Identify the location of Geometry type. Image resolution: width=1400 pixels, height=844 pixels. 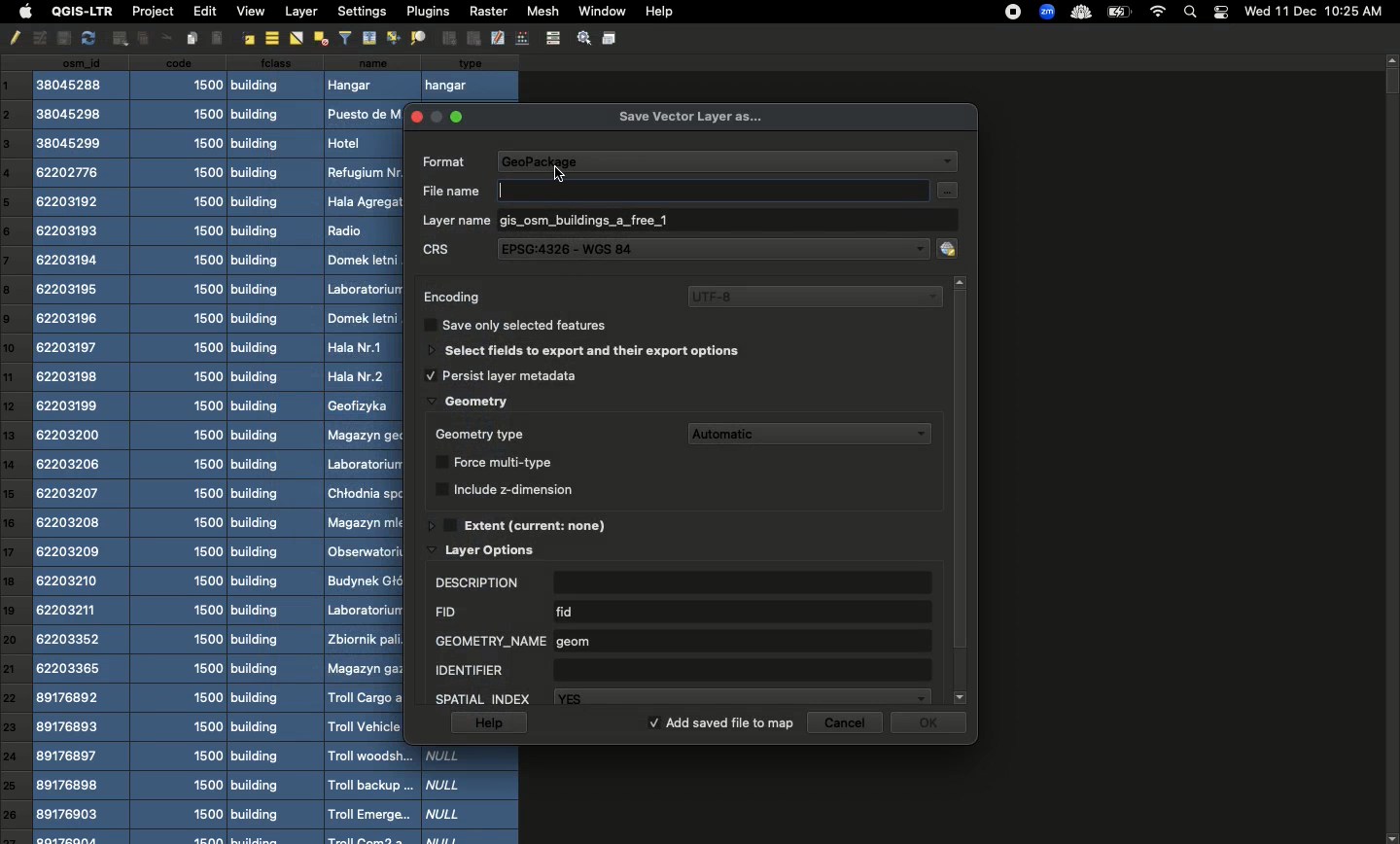
(485, 436).